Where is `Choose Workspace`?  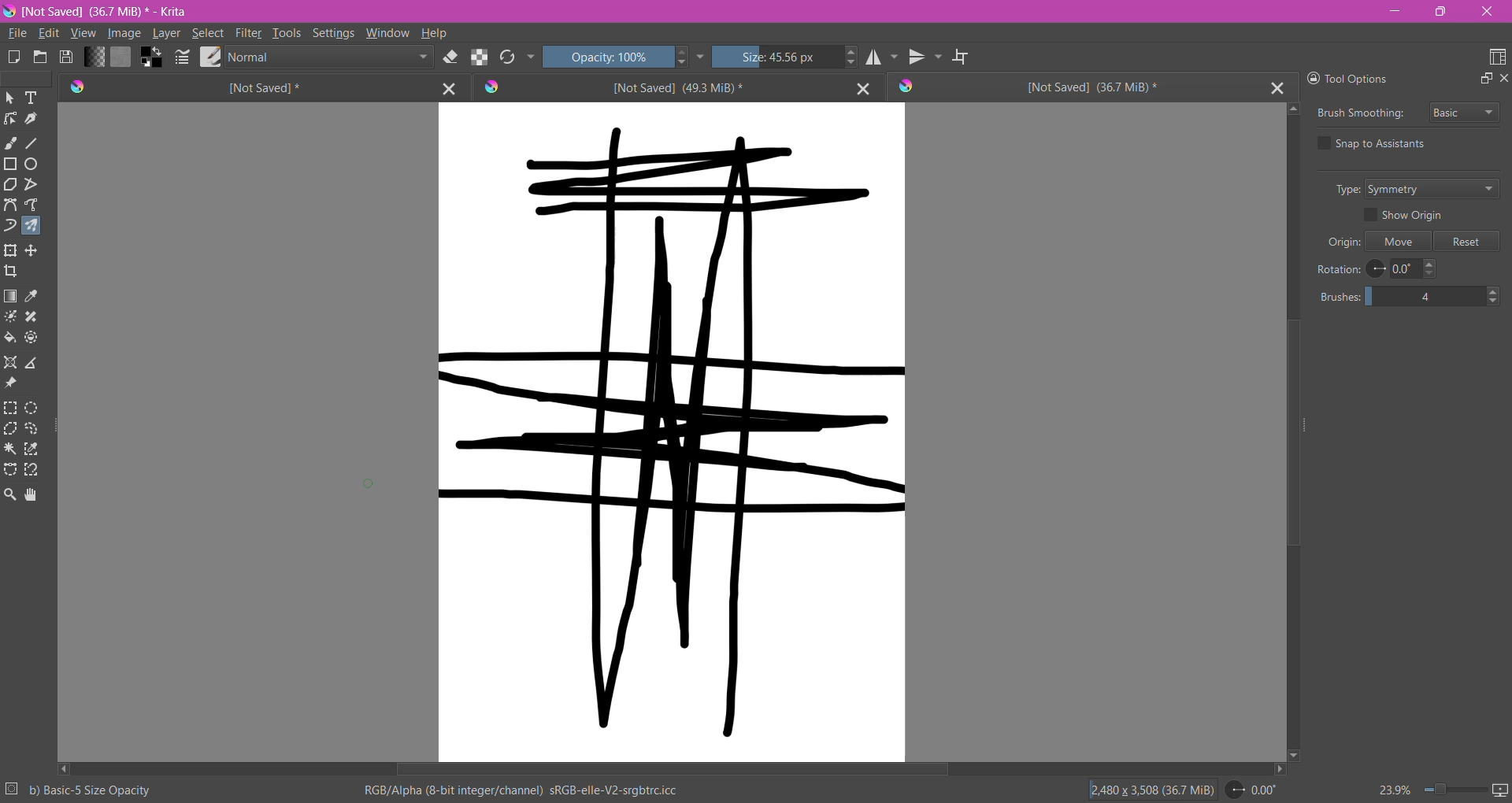
Choose Workspace is located at coordinates (1496, 57).